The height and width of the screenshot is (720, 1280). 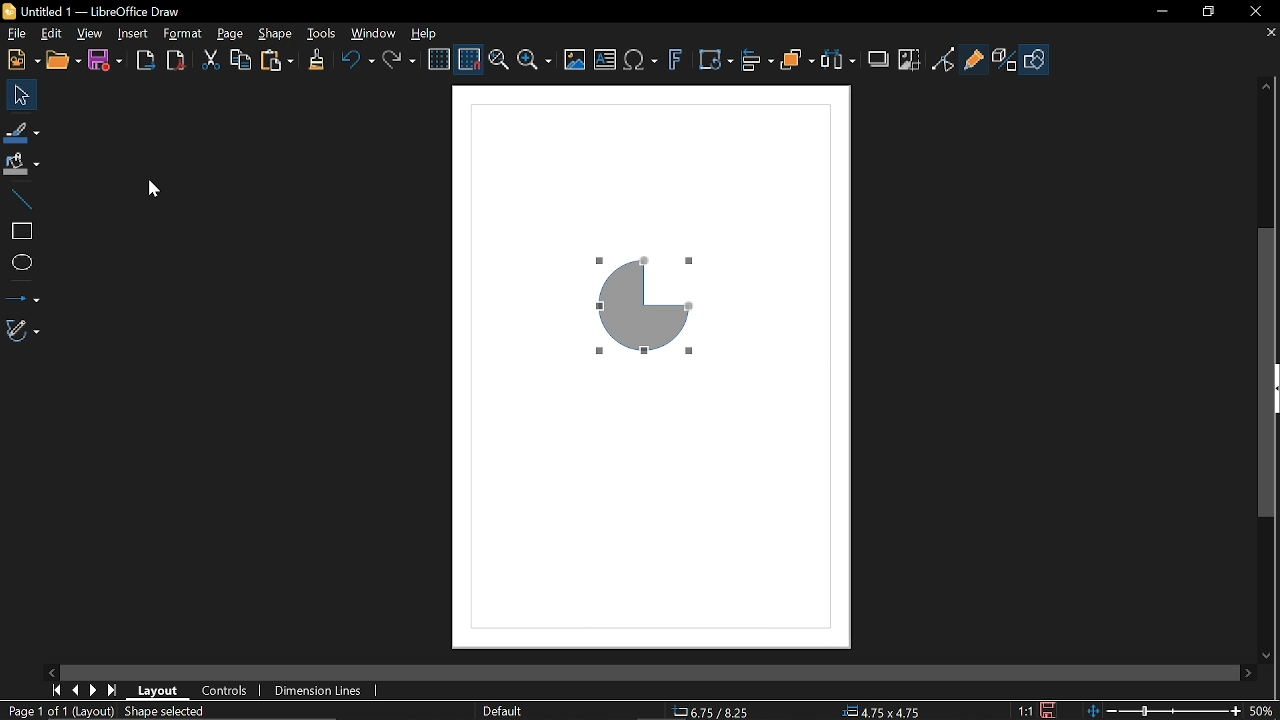 I want to click on page, so click(x=230, y=36).